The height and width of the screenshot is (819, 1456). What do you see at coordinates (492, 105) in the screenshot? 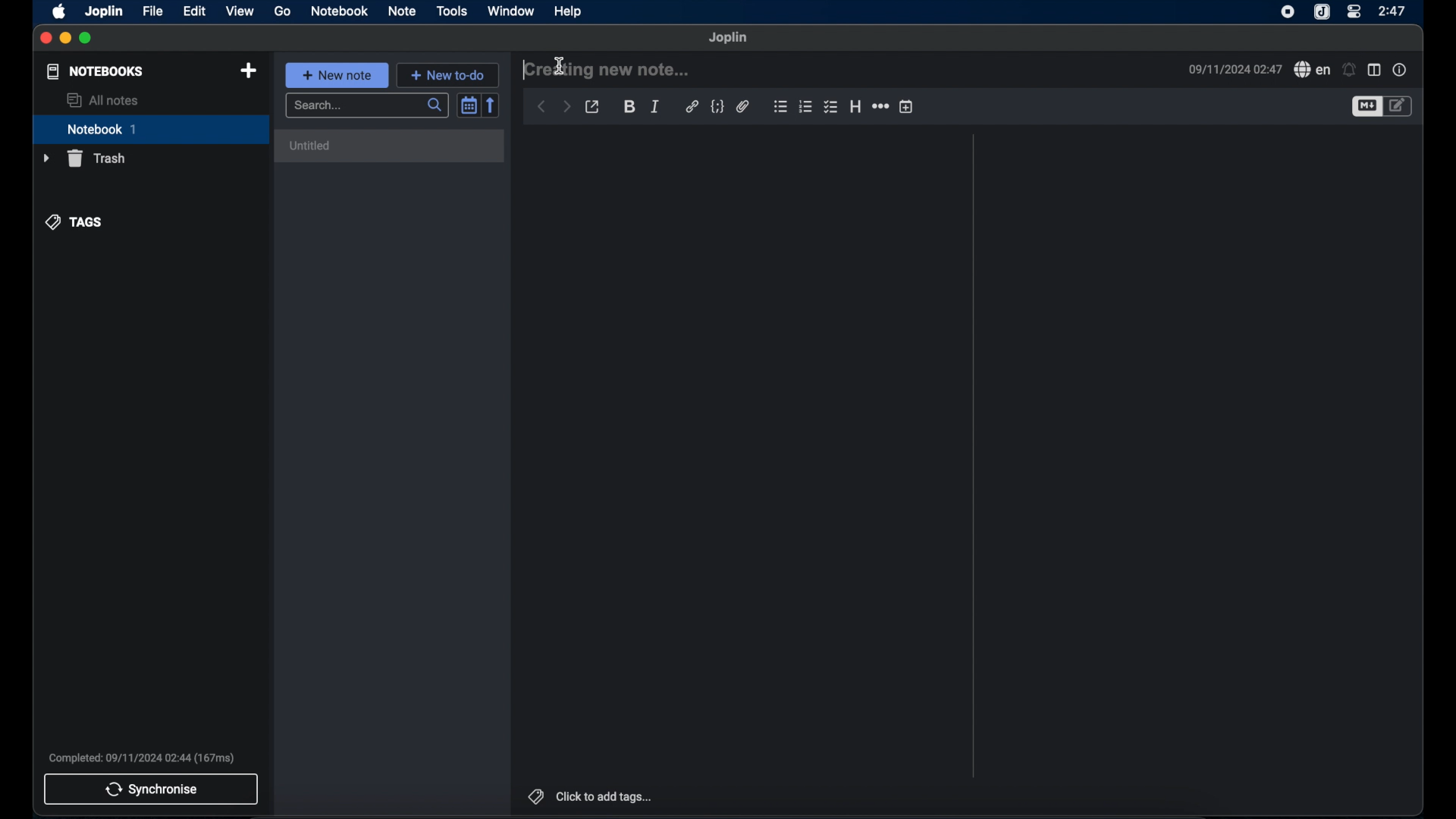
I see `reverse  sort order` at bounding box center [492, 105].